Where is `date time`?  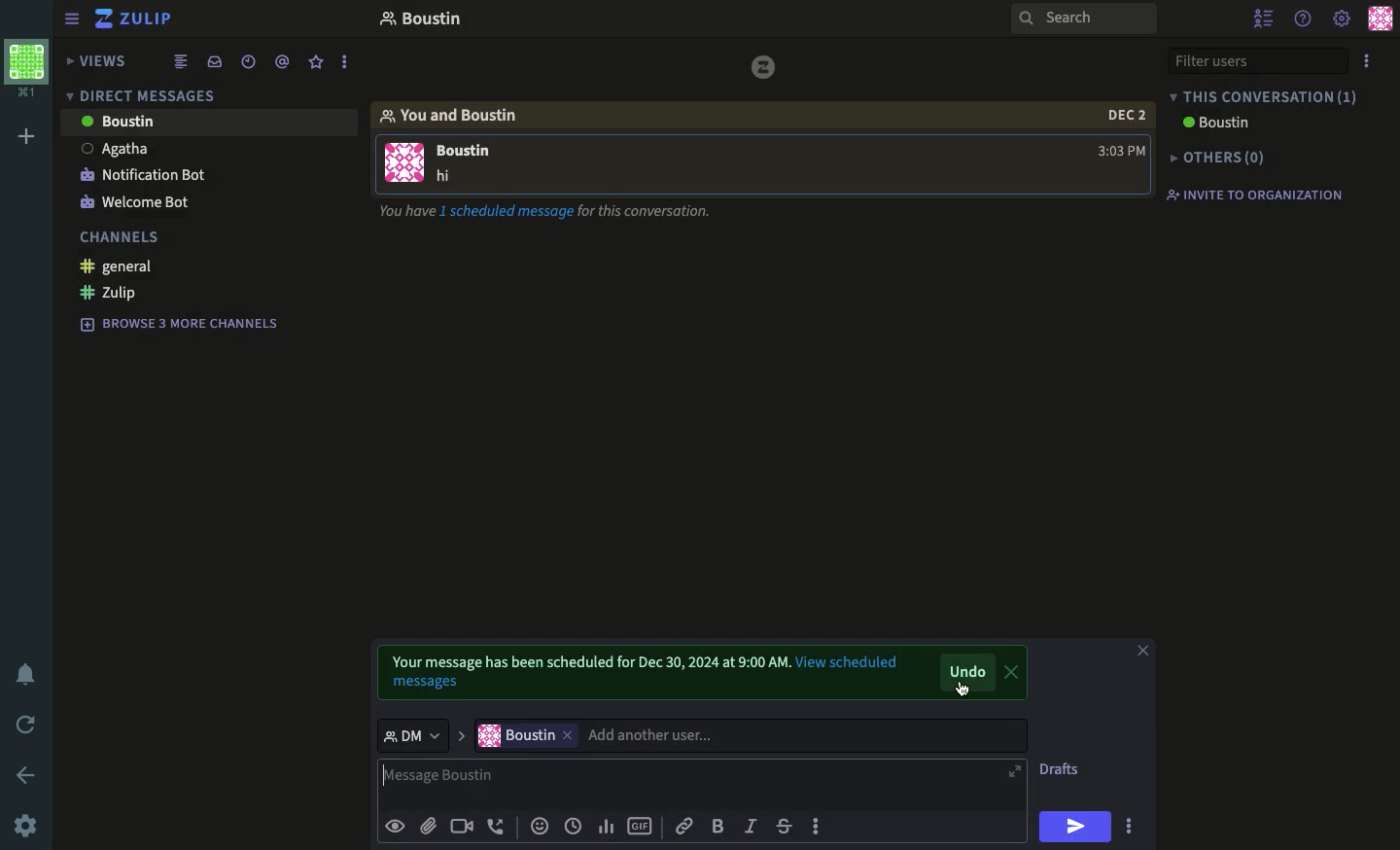
date time is located at coordinates (573, 826).